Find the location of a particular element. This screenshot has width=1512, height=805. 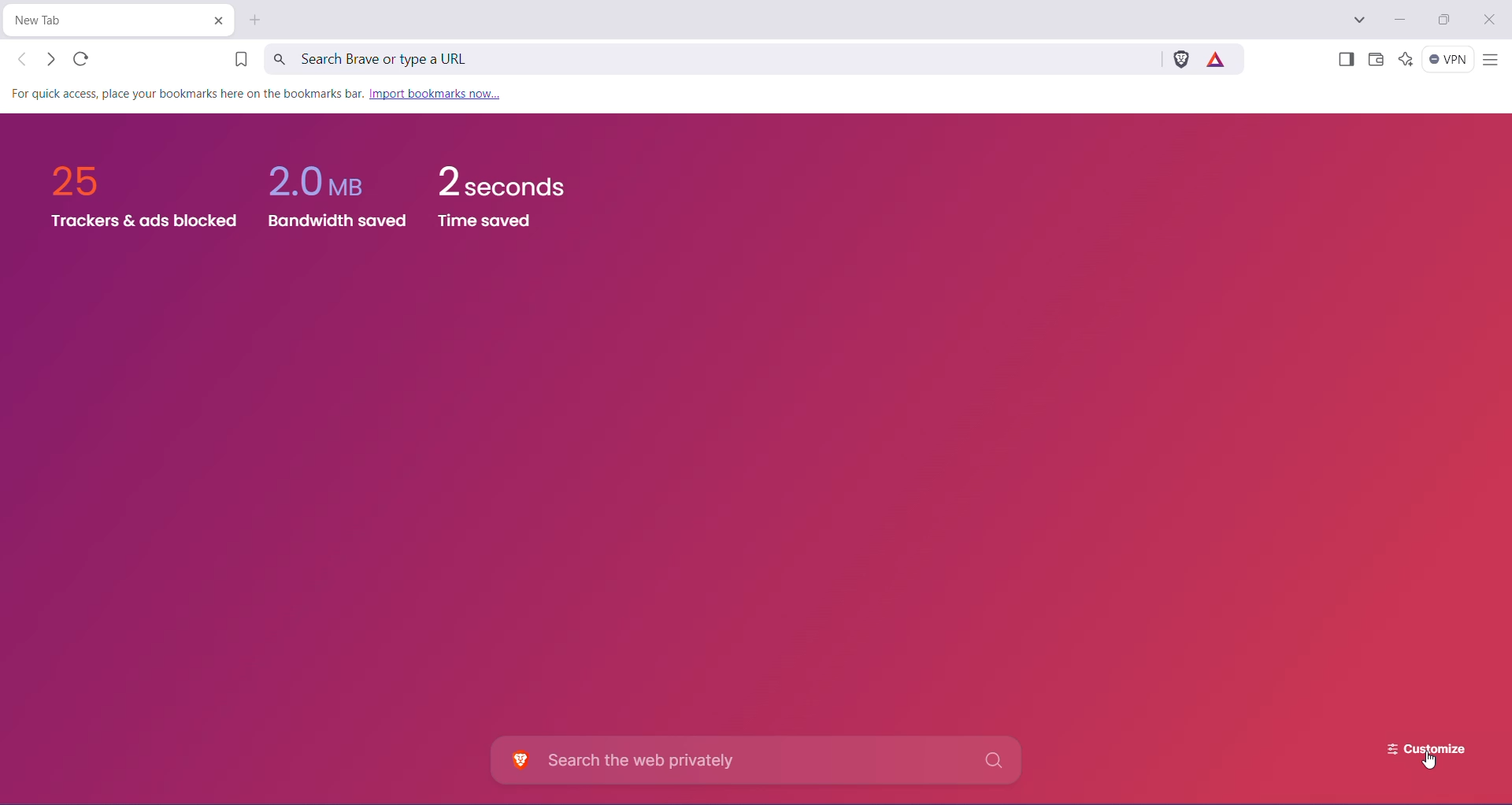

2.0 bandwidth saved is located at coordinates (340, 188).